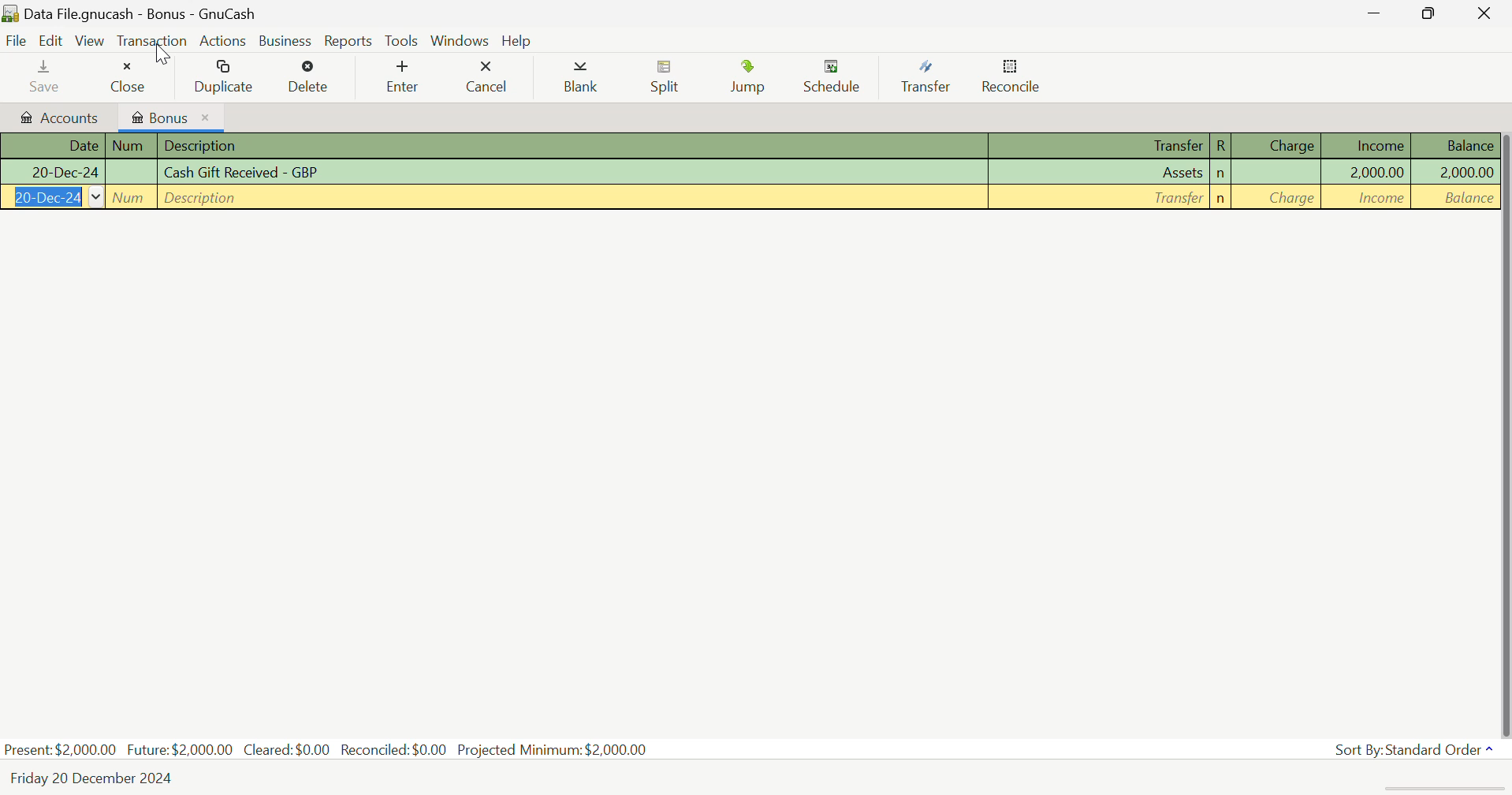 Image resolution: width=1512 pixels, height=795 pixels. I want to click on Duplicate, so click(225, 76).